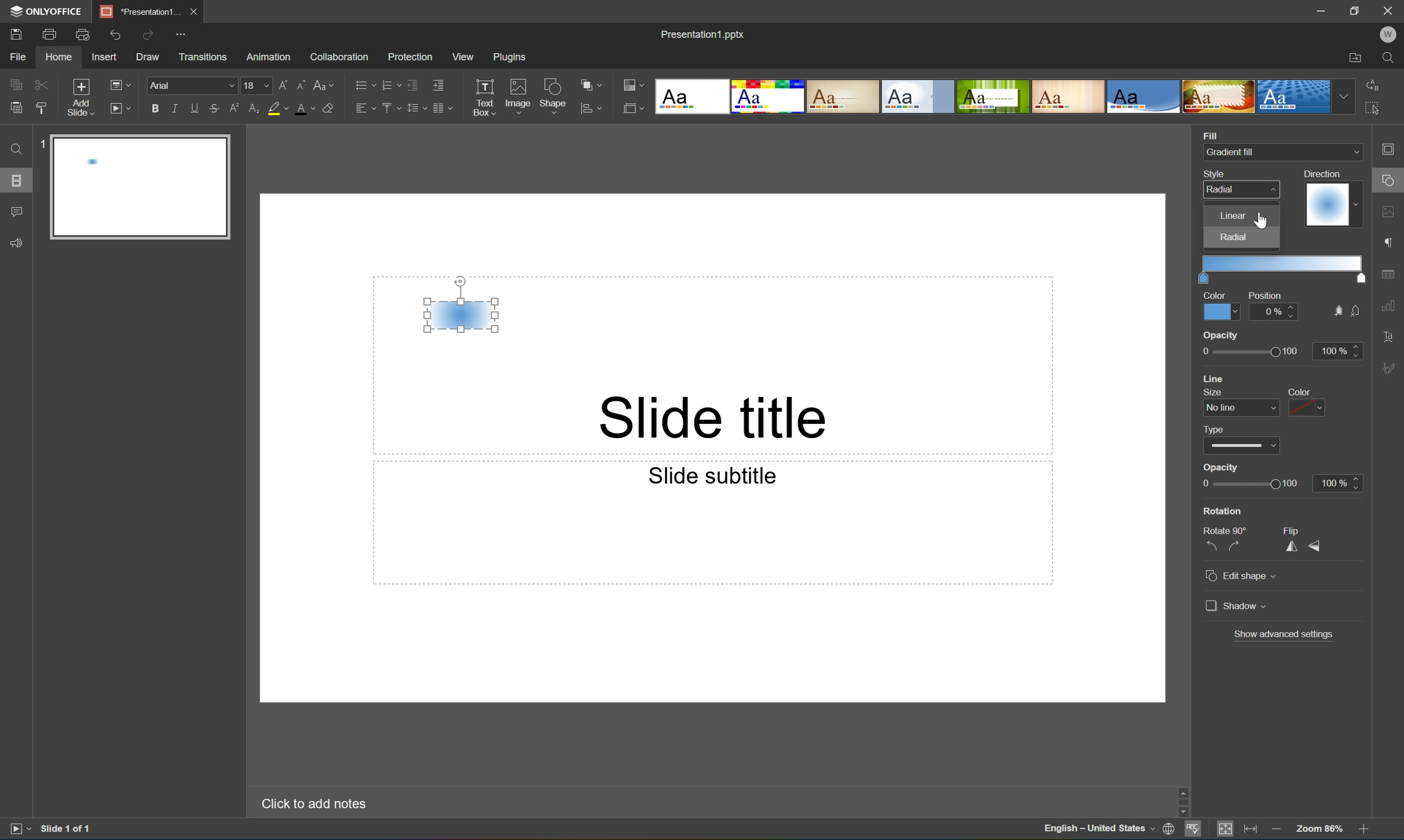 The width and height of the screenshot is (1404, 840). I want to click on Increase indent, so click(437, 84).